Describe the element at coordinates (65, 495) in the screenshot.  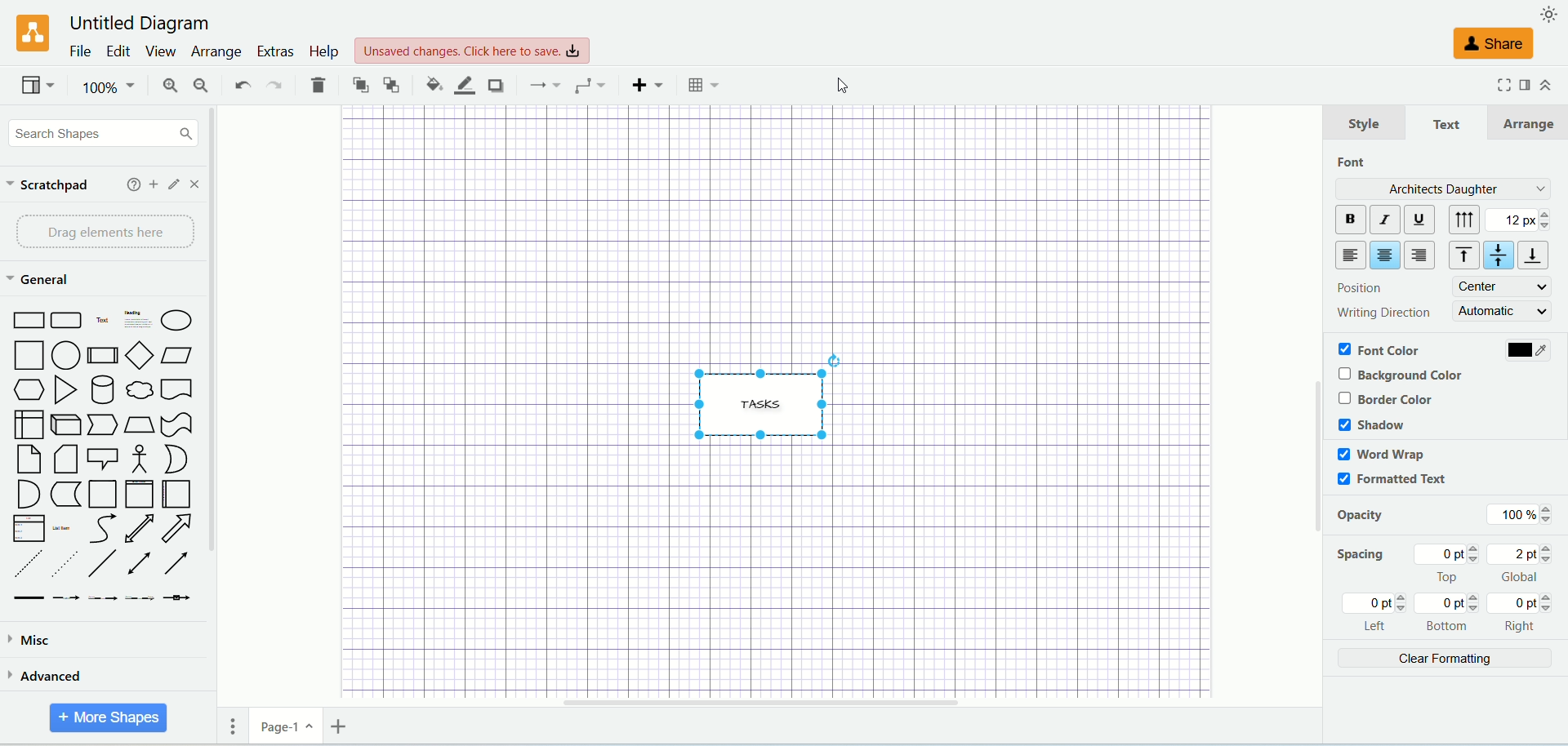
I see `Data Storage` at that location.